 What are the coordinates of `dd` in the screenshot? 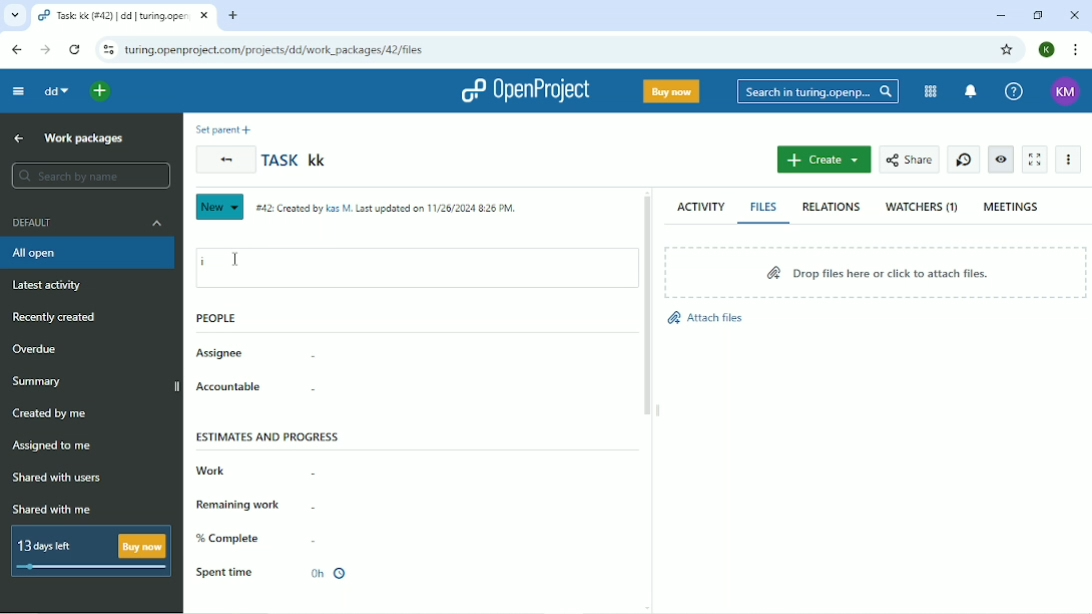 It's located at (58, 91).